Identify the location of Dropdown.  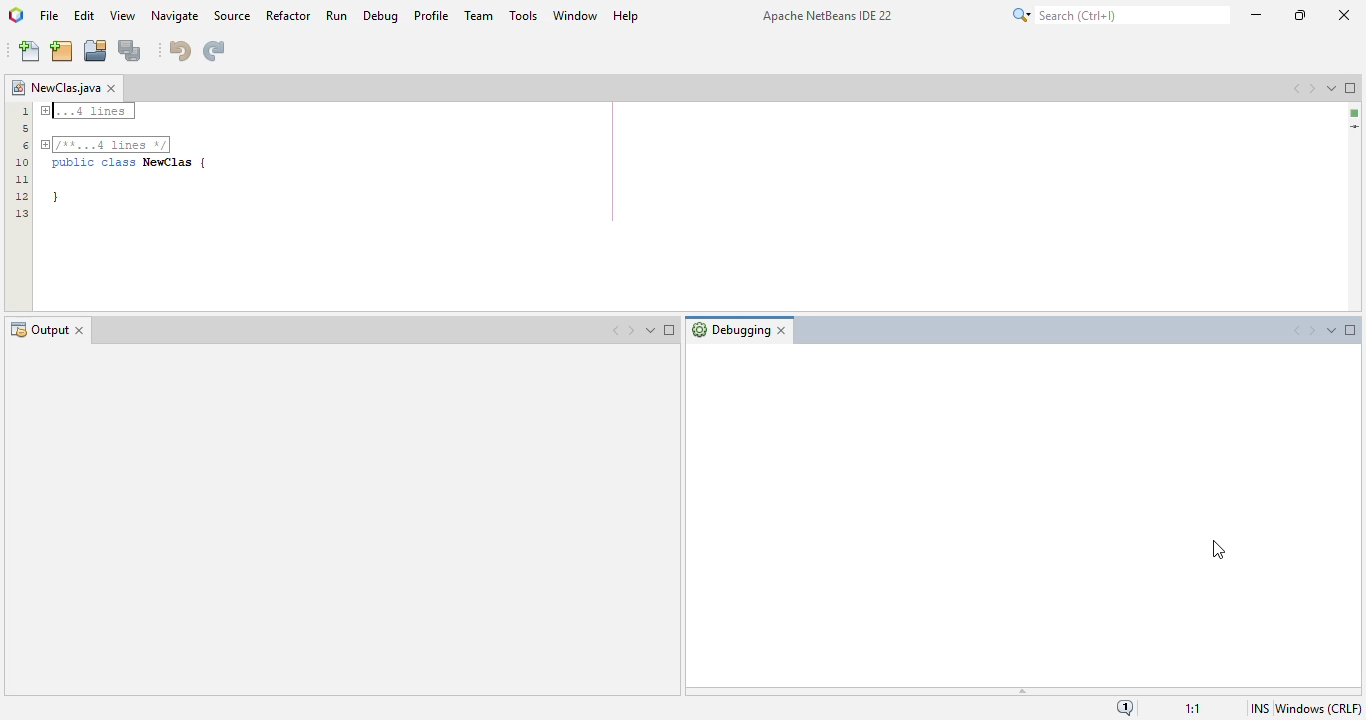
(1329, 331).